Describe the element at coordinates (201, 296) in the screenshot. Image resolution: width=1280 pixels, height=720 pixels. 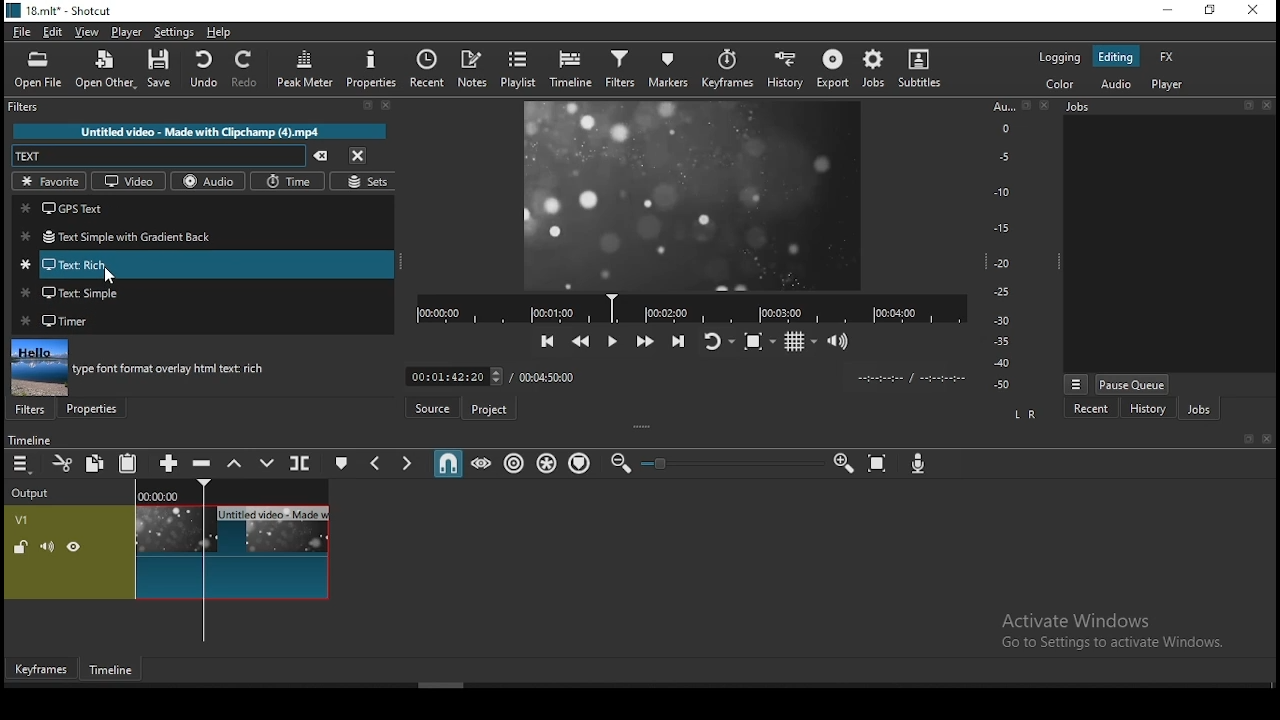
I see `text: simple` at that location.